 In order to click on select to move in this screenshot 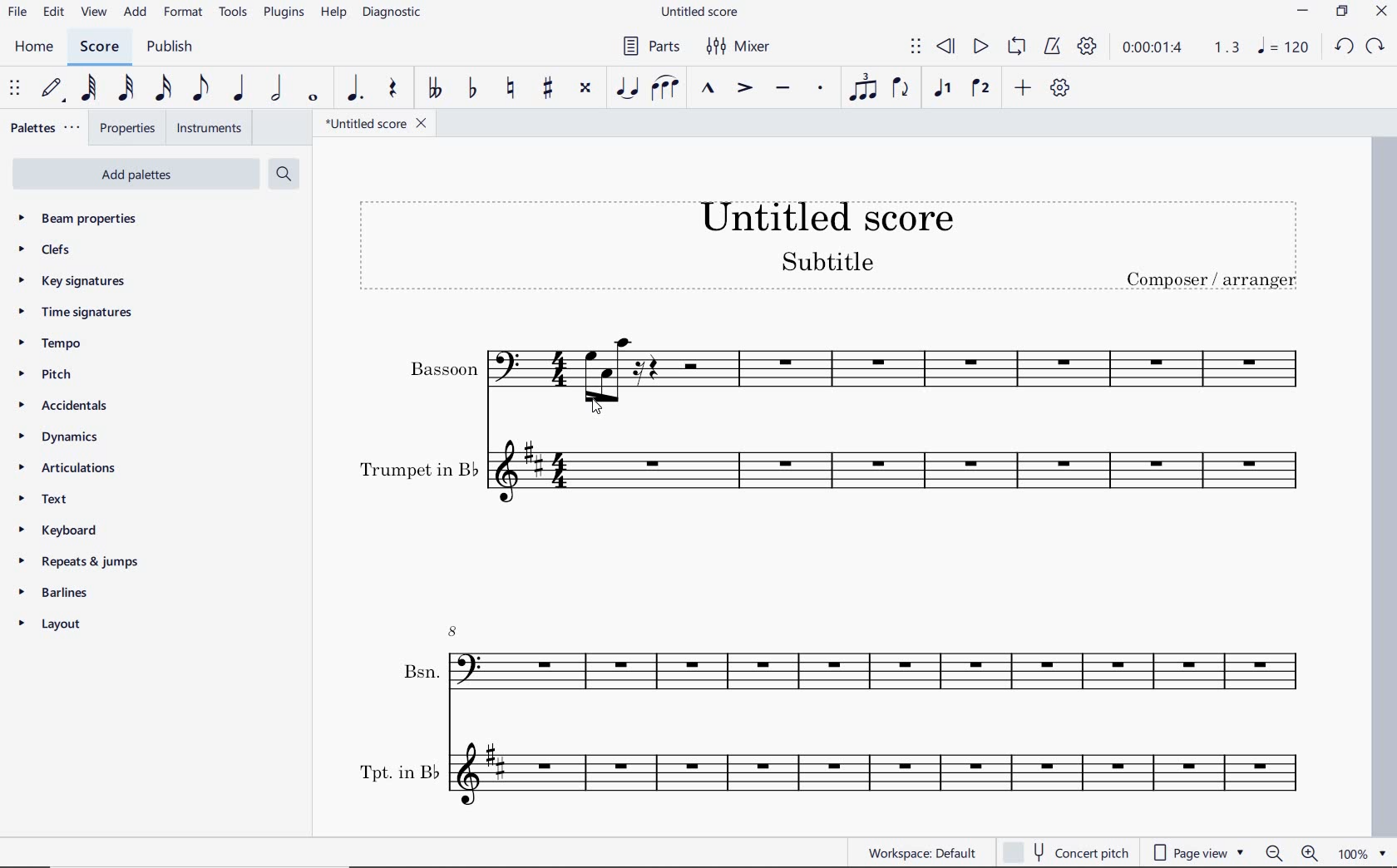, I will do `click(916, 46)`.